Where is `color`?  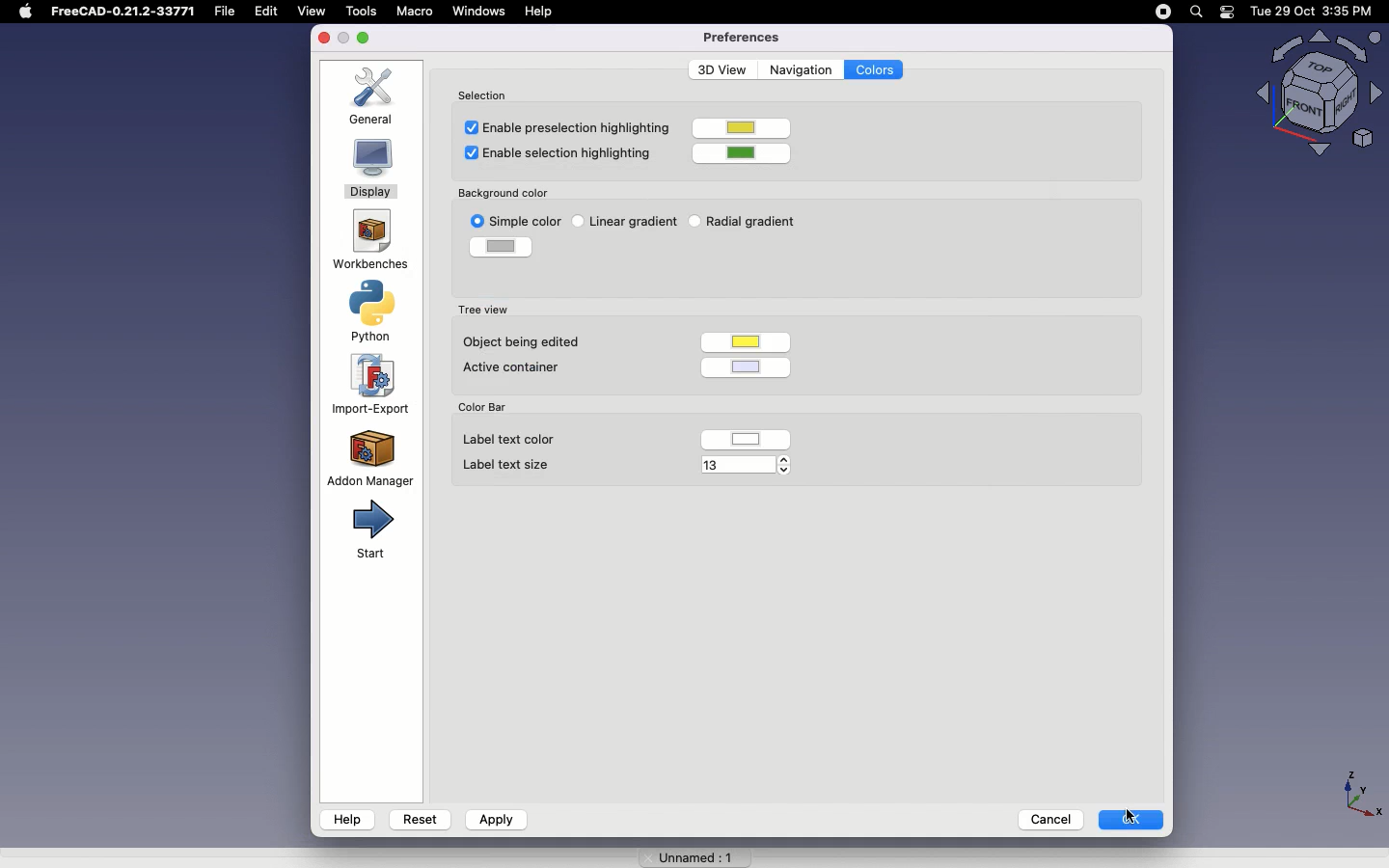
color is located at coordinates (744, 129).